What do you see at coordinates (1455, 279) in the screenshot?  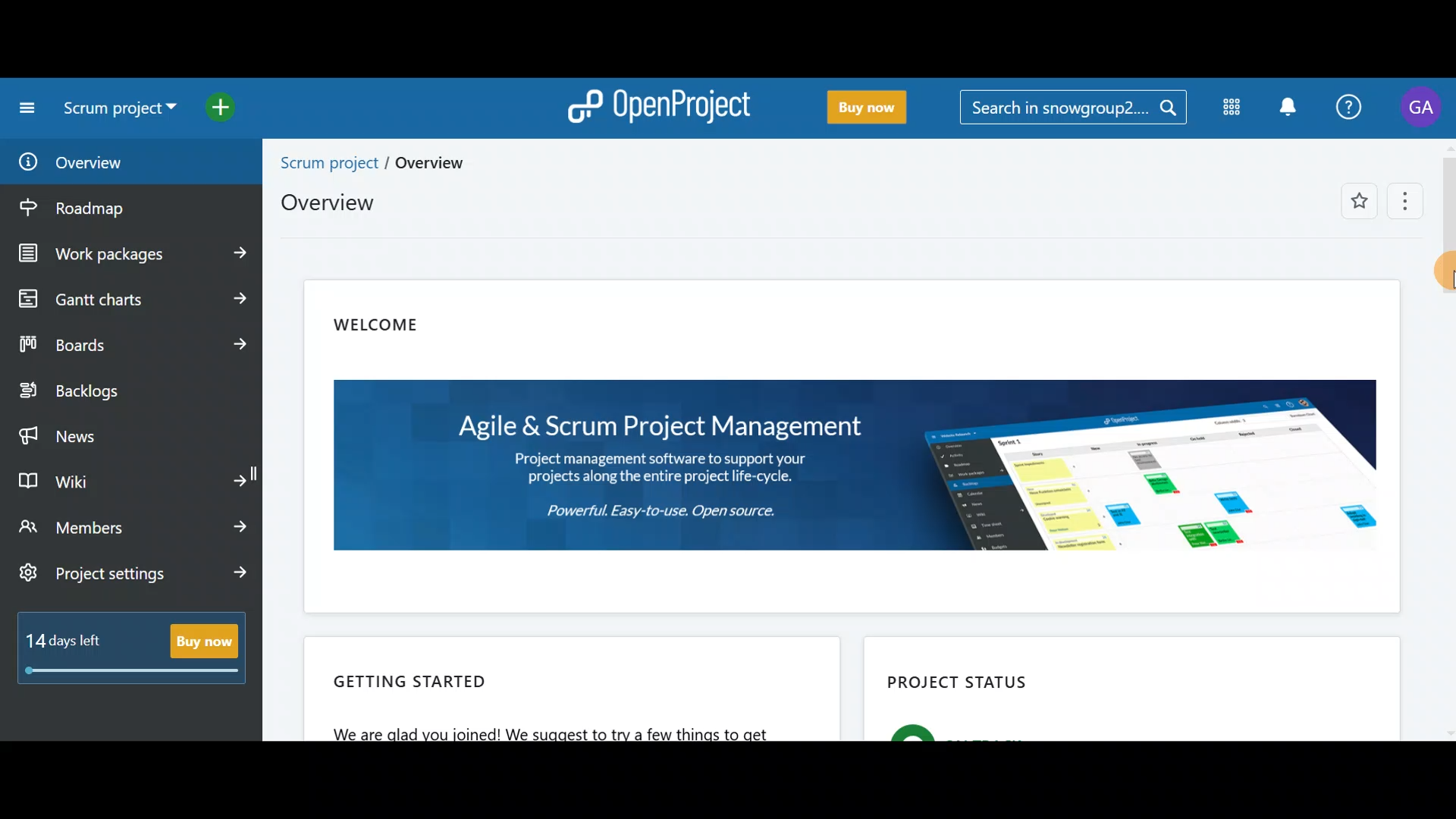 I see `mouse down` at bounding box center [1455, 279].